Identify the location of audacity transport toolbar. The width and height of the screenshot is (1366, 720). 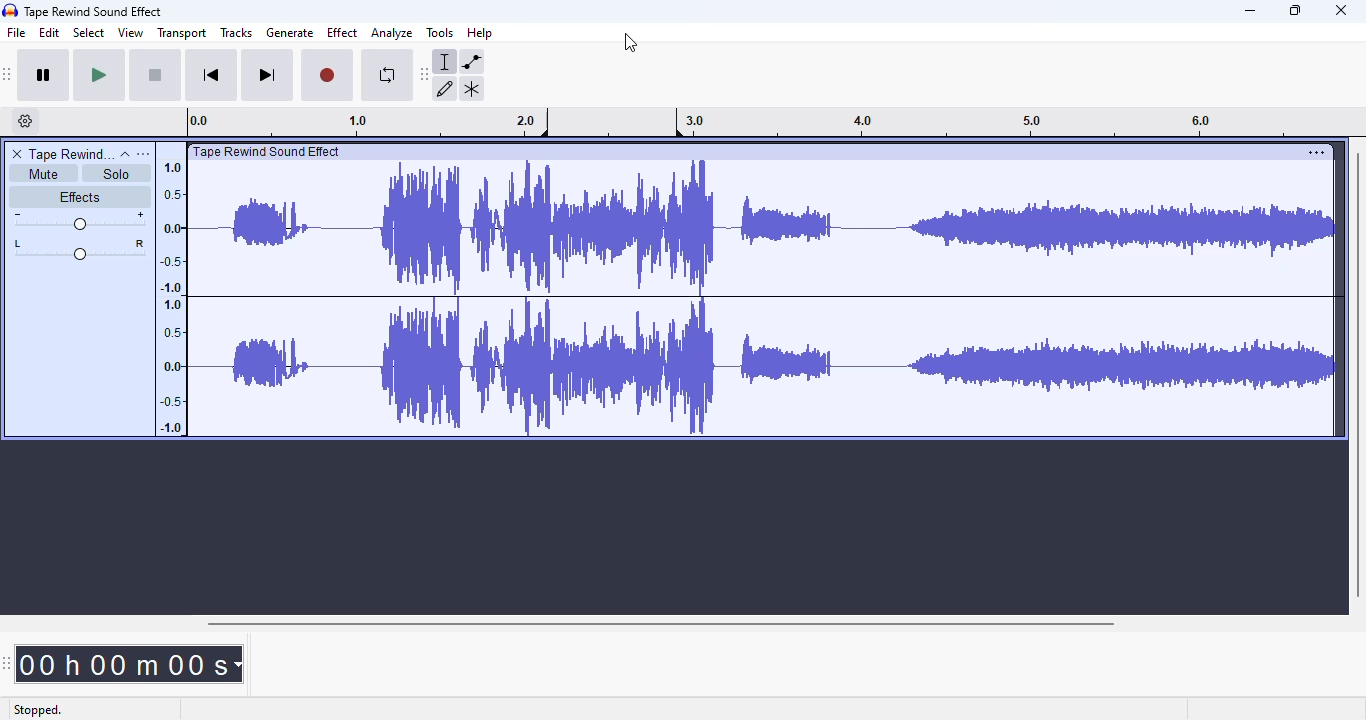
(7, 75).